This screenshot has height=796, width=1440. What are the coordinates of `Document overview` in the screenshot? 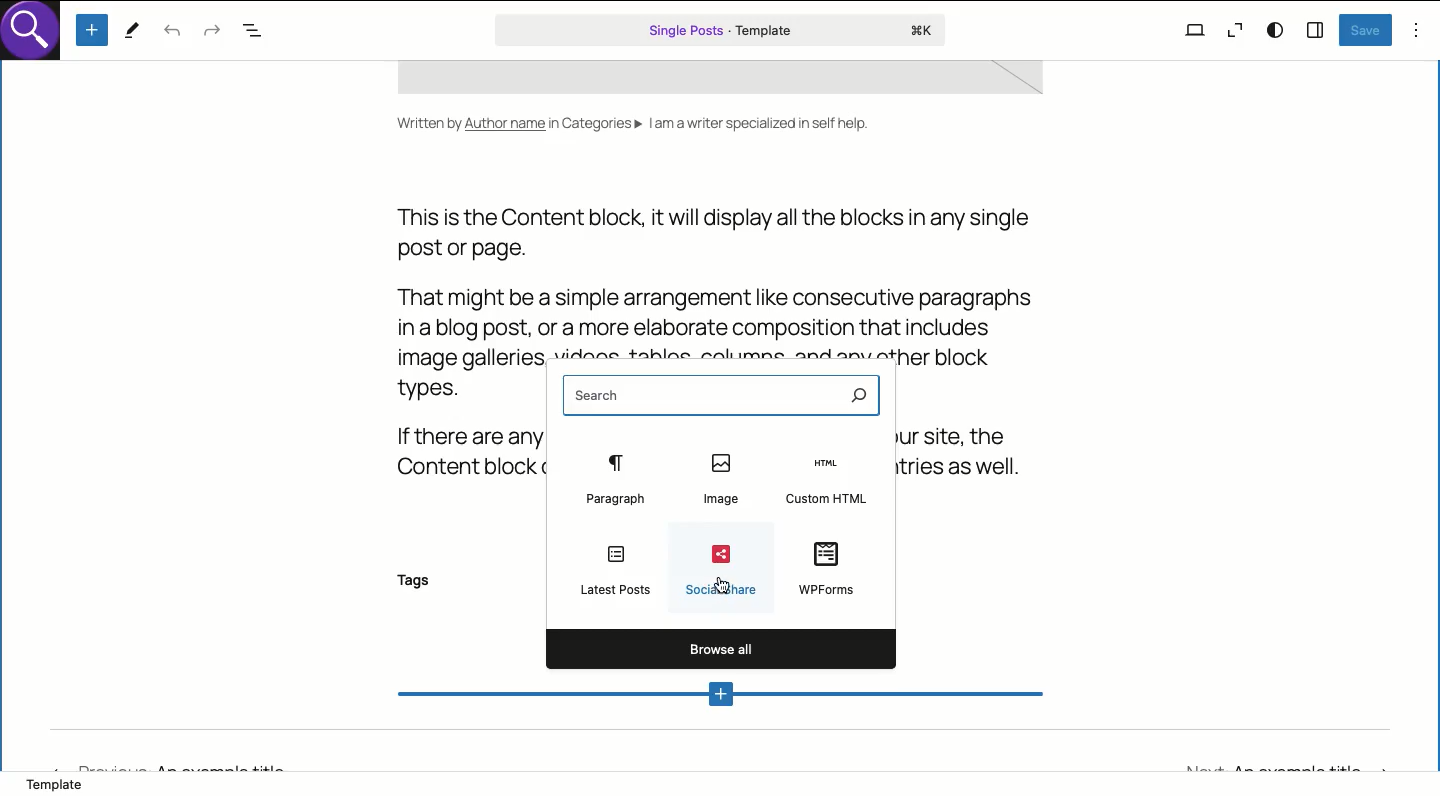 It's located at (256, 32).